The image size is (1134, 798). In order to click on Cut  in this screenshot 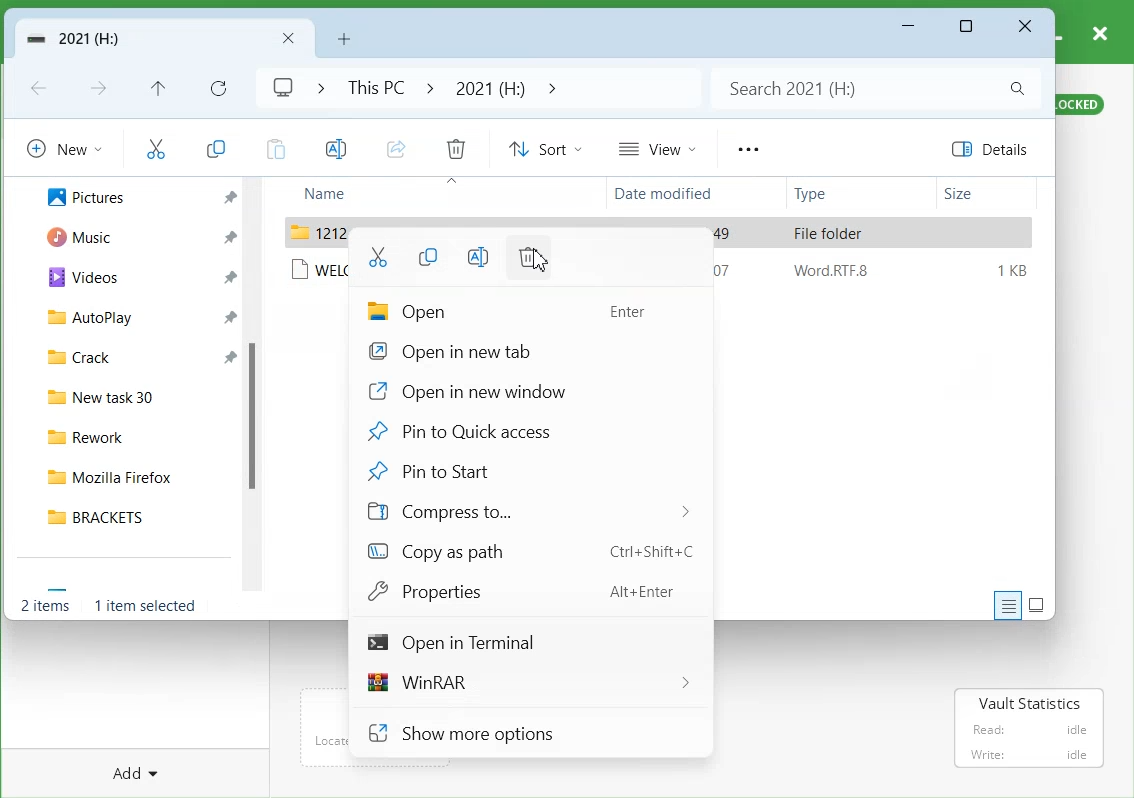, I will do `click(379, 256)`.